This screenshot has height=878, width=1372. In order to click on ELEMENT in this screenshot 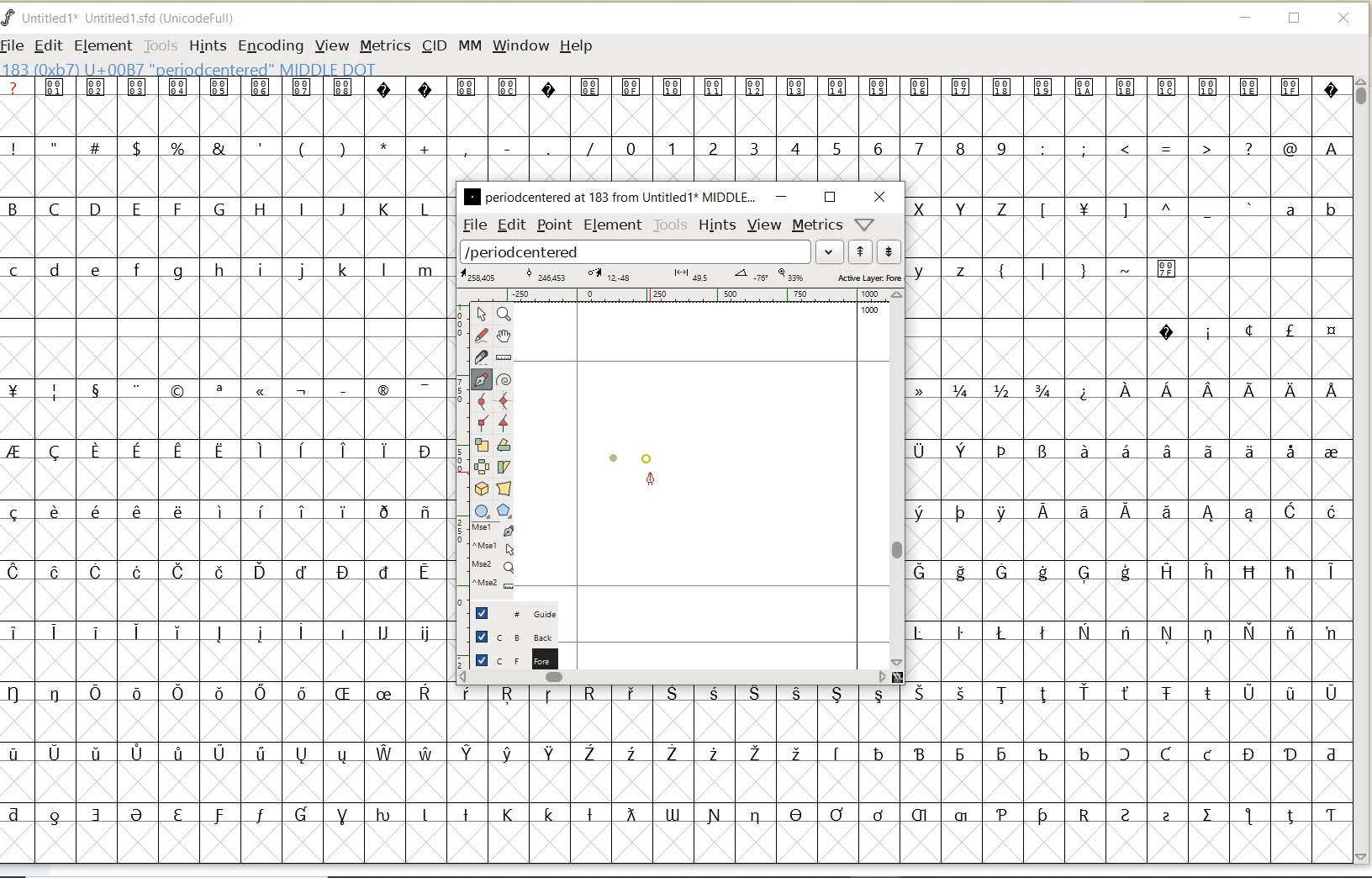, I will do `click(103, 45)`.